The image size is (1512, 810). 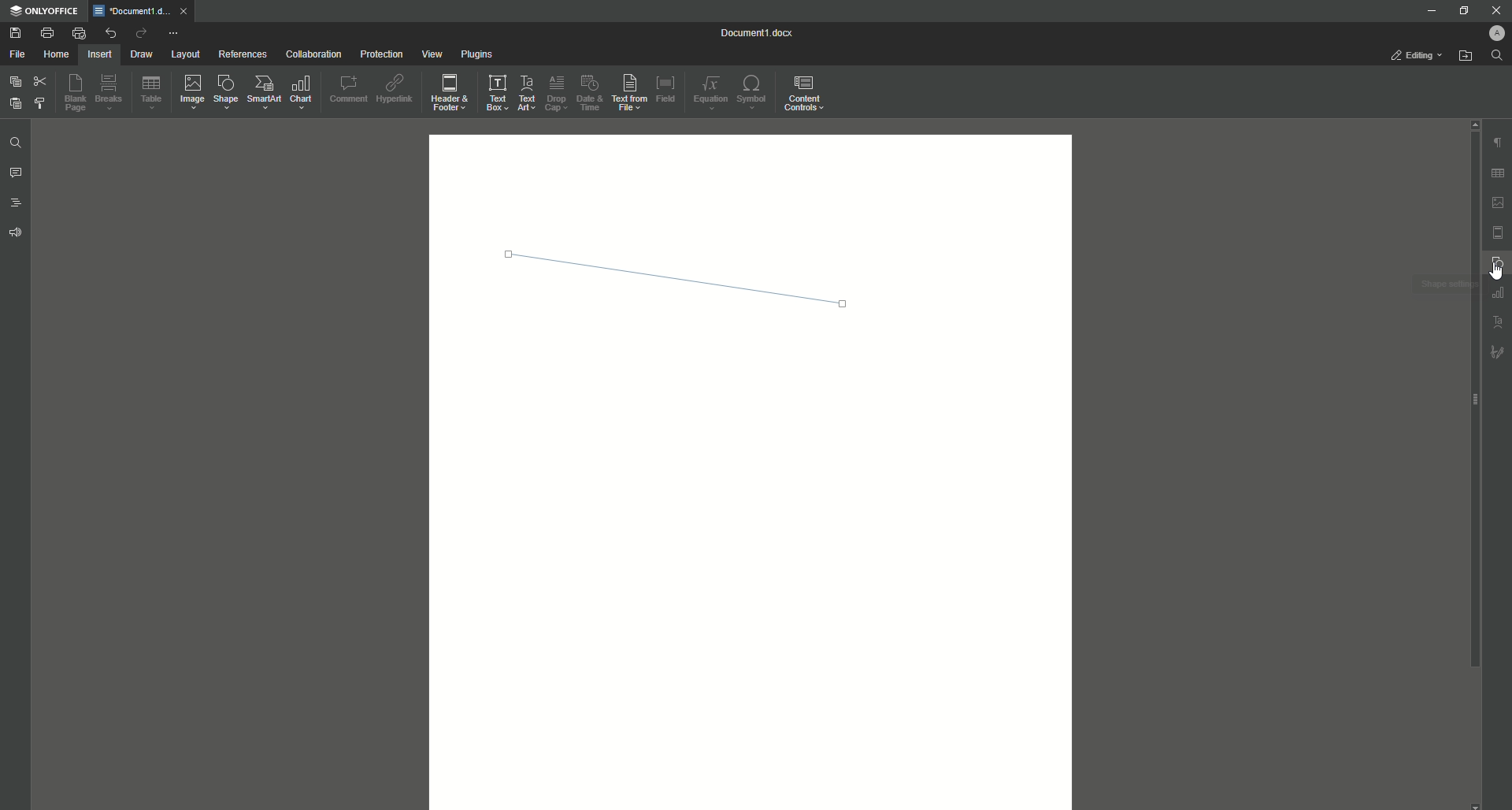 What do you see at coordinates (112, 94) in the screenshot?
I see `Breaks` at bounding box center [112, 94].